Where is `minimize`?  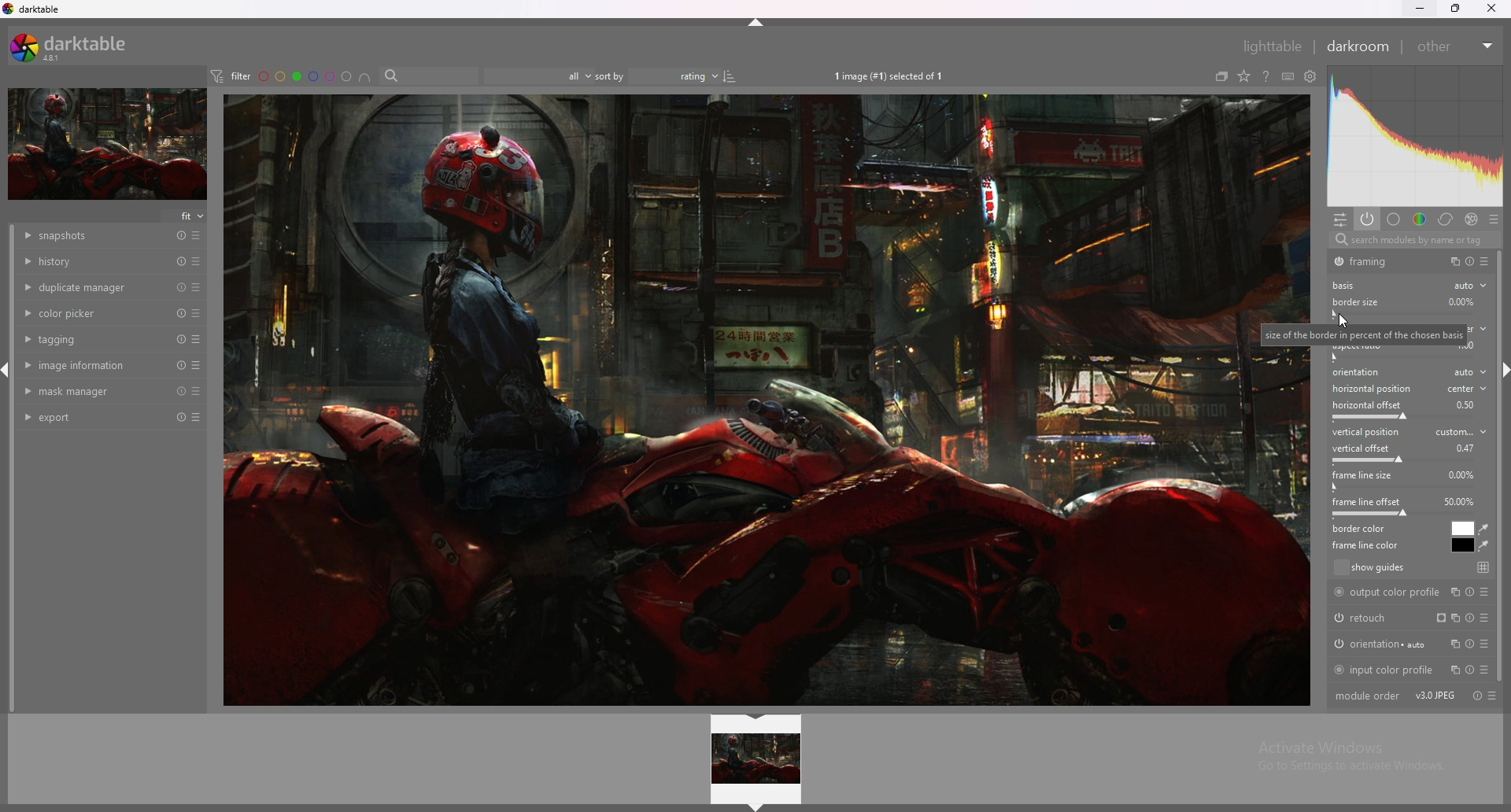
minimize is located at coordinates (1420, 7).